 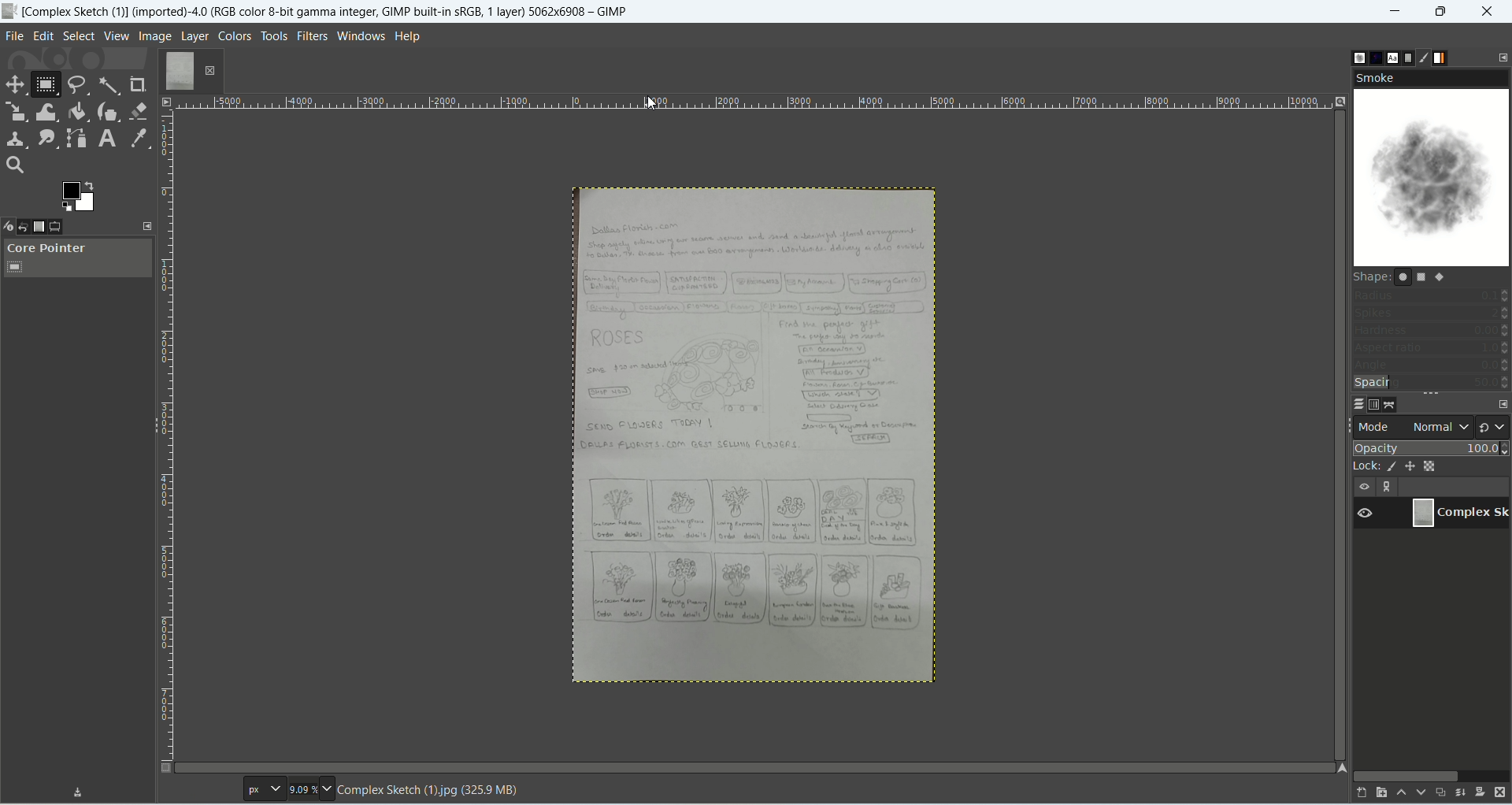 What do you see at coordinates (16, 35) in the screenshot?
I see `file` at bounding box center [16, 35].